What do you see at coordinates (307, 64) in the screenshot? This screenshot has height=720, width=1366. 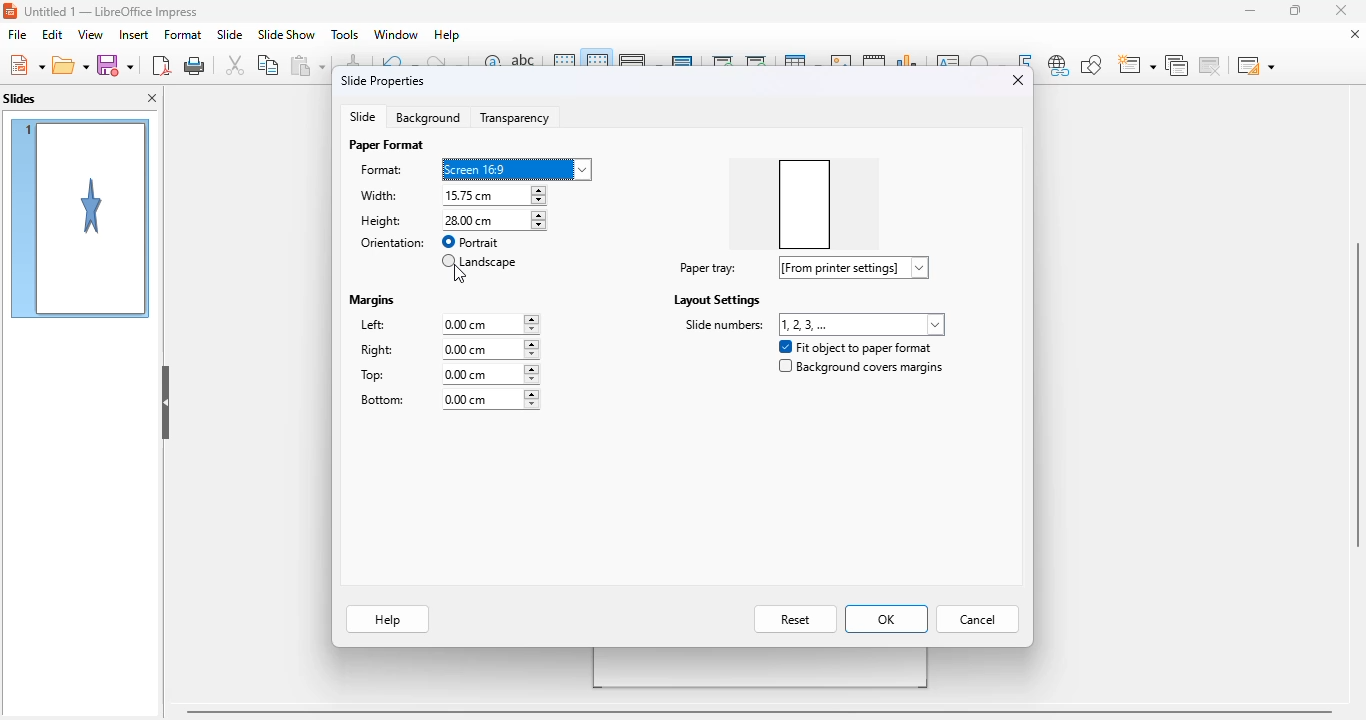 I see `paste` at bounding box center [307, 64].